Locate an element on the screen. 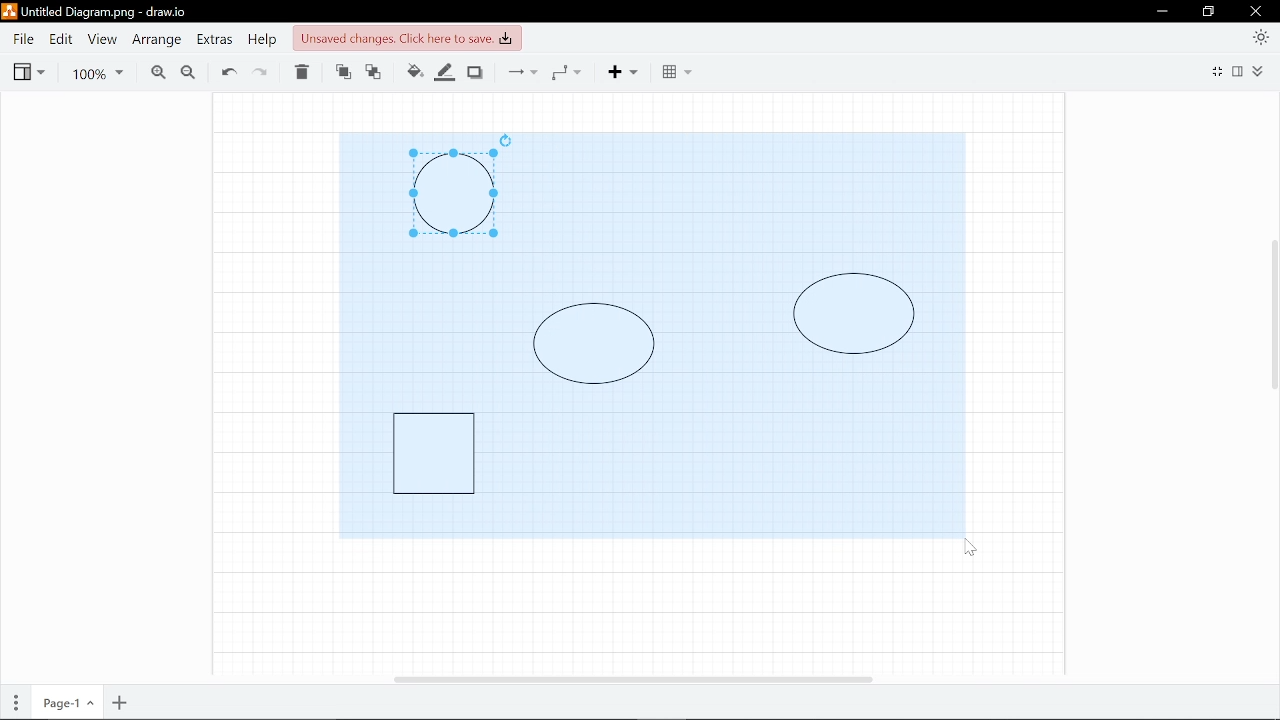 Image resolution: width=1280 pixels, height=720 pixels. Diagram is located at coordinates (854, 314).